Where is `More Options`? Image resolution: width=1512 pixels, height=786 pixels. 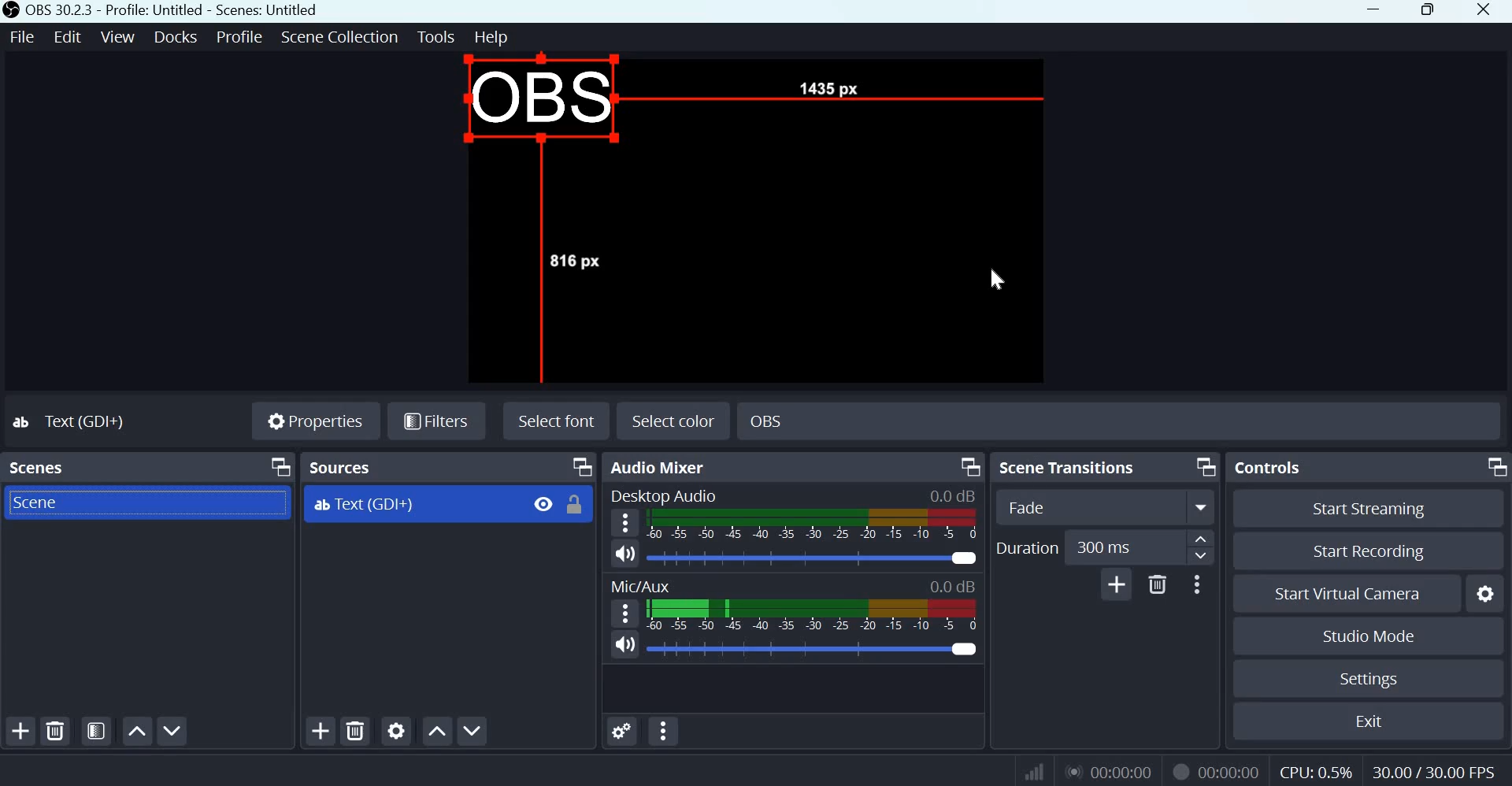 More Options is located at coordinates (1196, 584).